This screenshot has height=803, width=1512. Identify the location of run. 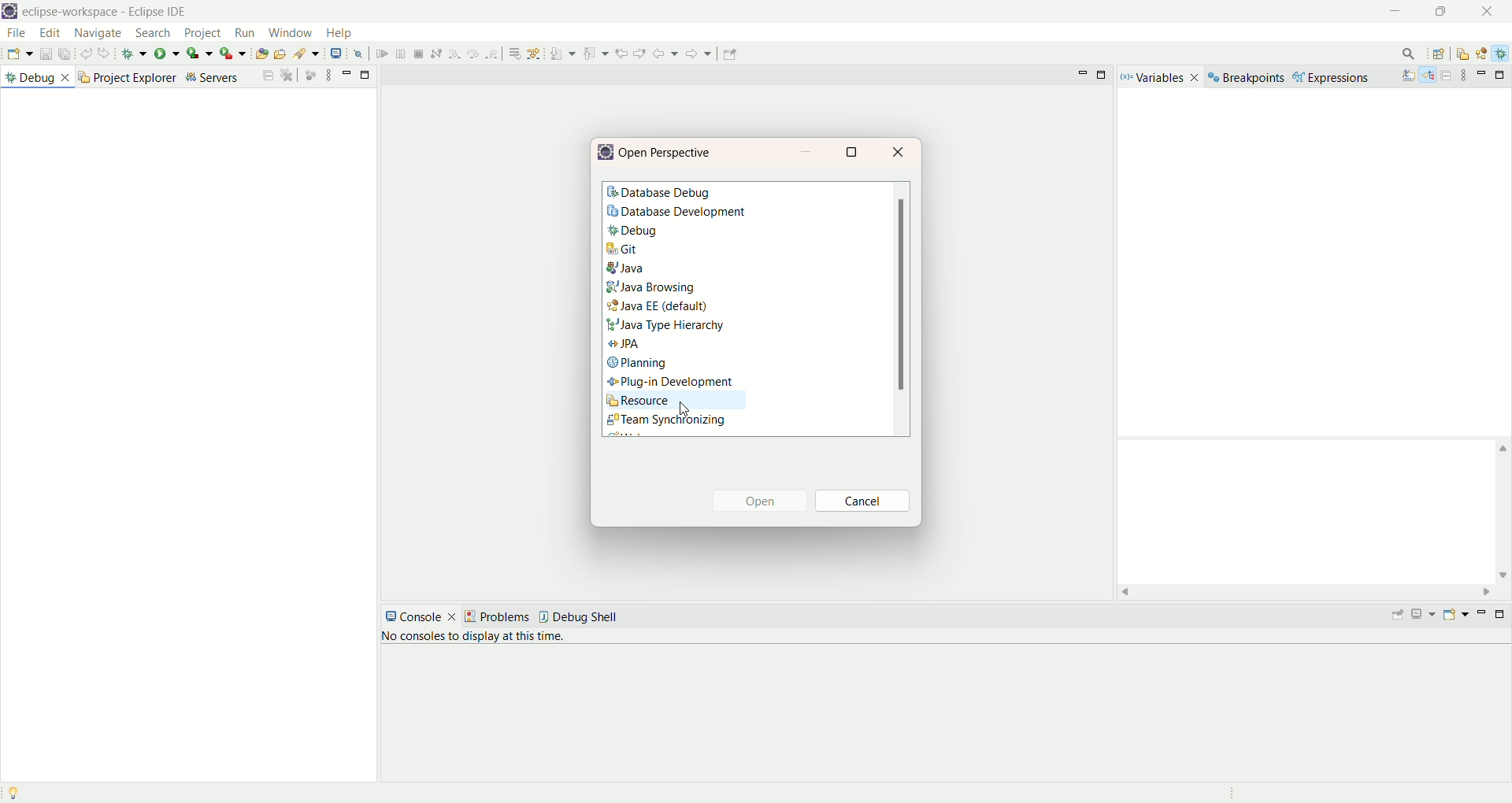
(243, 35).